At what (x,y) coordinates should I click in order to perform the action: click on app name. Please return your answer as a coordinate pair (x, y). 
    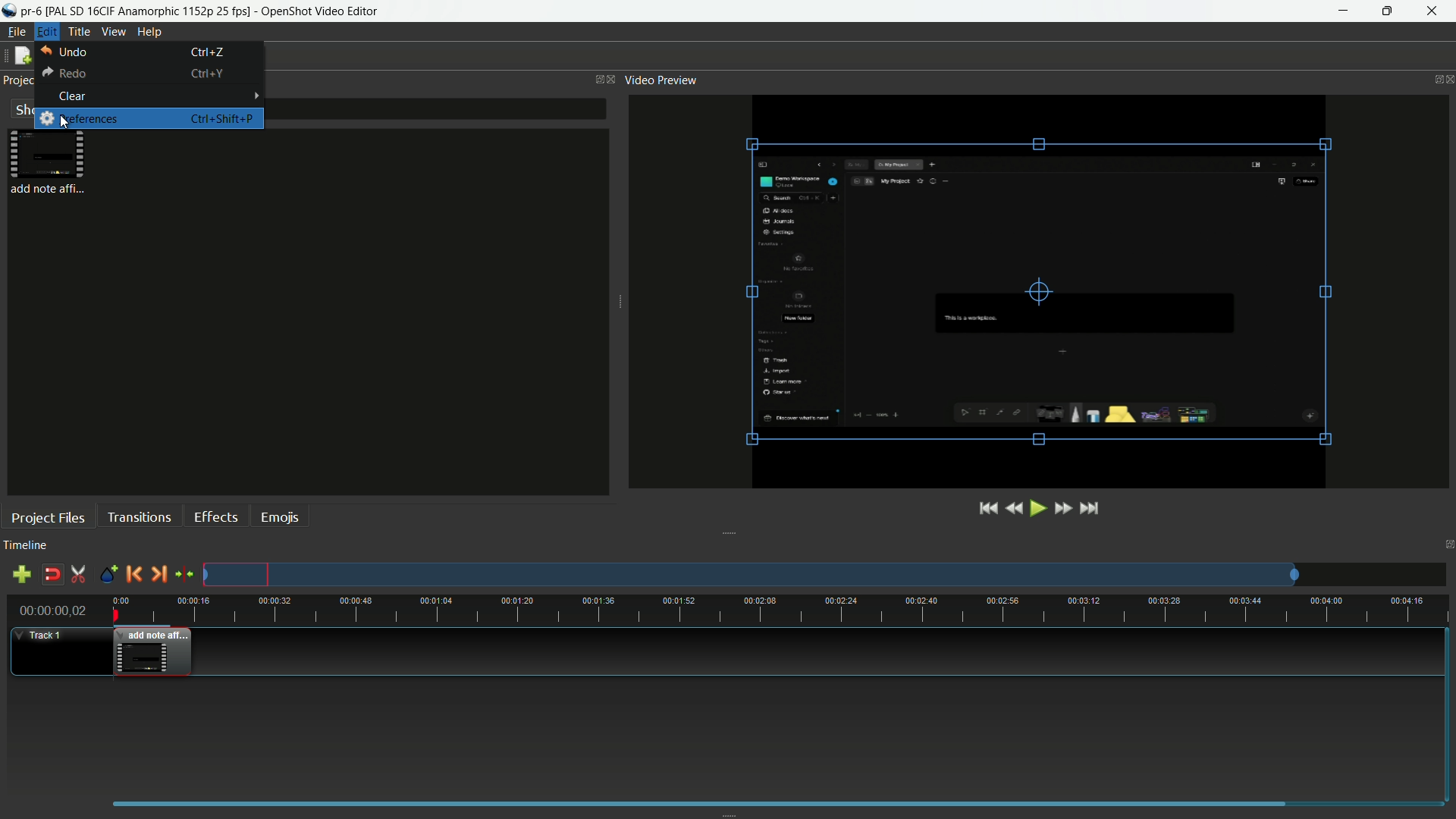
    Looking at the image, I should click on (322, 12).